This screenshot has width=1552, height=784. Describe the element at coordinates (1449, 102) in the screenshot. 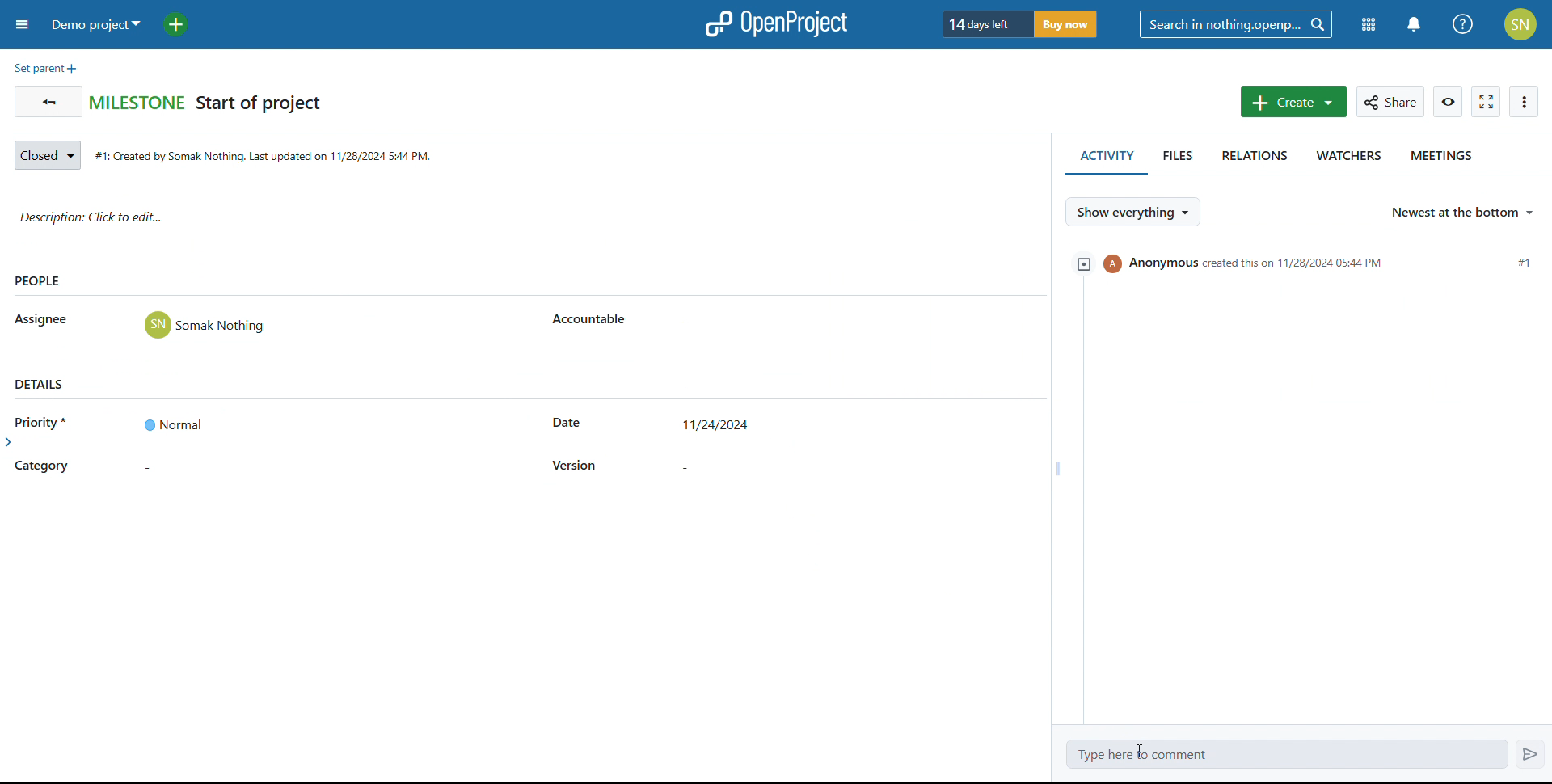

I see `watch work package` at that location.